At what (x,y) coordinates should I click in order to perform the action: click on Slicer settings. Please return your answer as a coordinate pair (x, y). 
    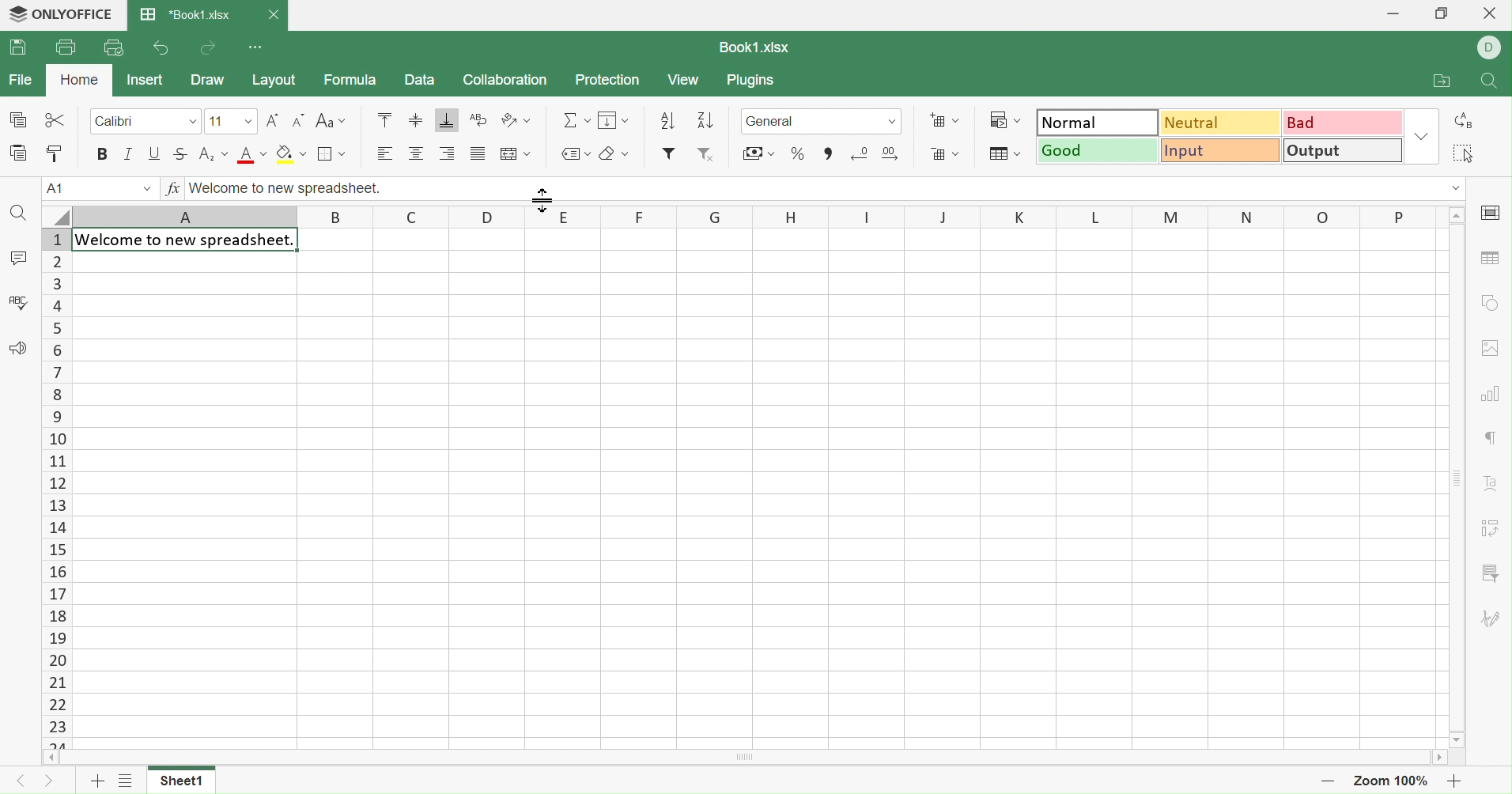
    Looking at the image, I should click on (1489, 573).